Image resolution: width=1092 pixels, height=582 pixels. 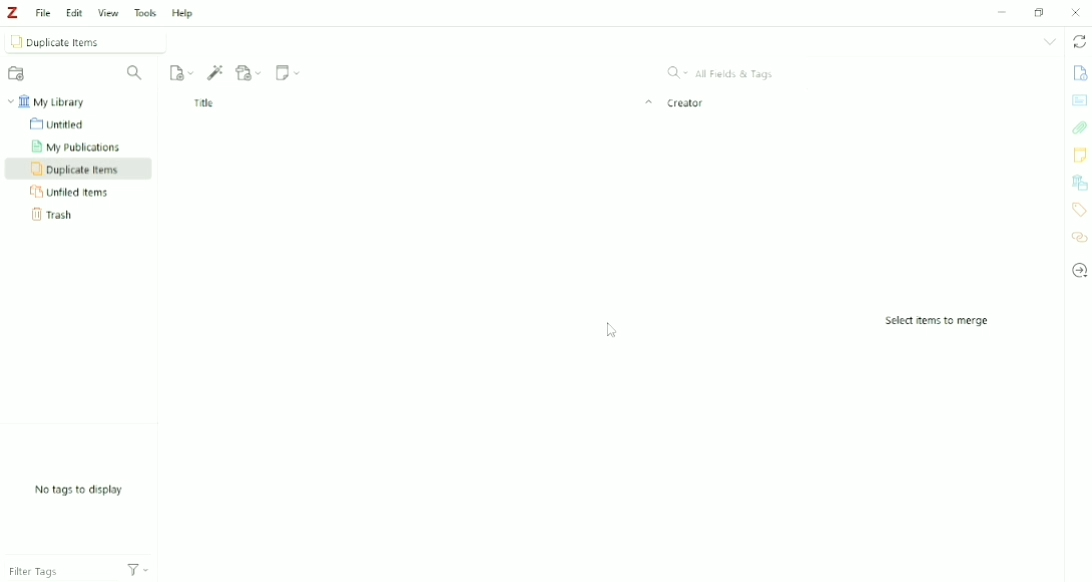 What do you see at coordinates (1079, 271) in the screenshot?
I see `Locate` at bounding box center [1079, 271].